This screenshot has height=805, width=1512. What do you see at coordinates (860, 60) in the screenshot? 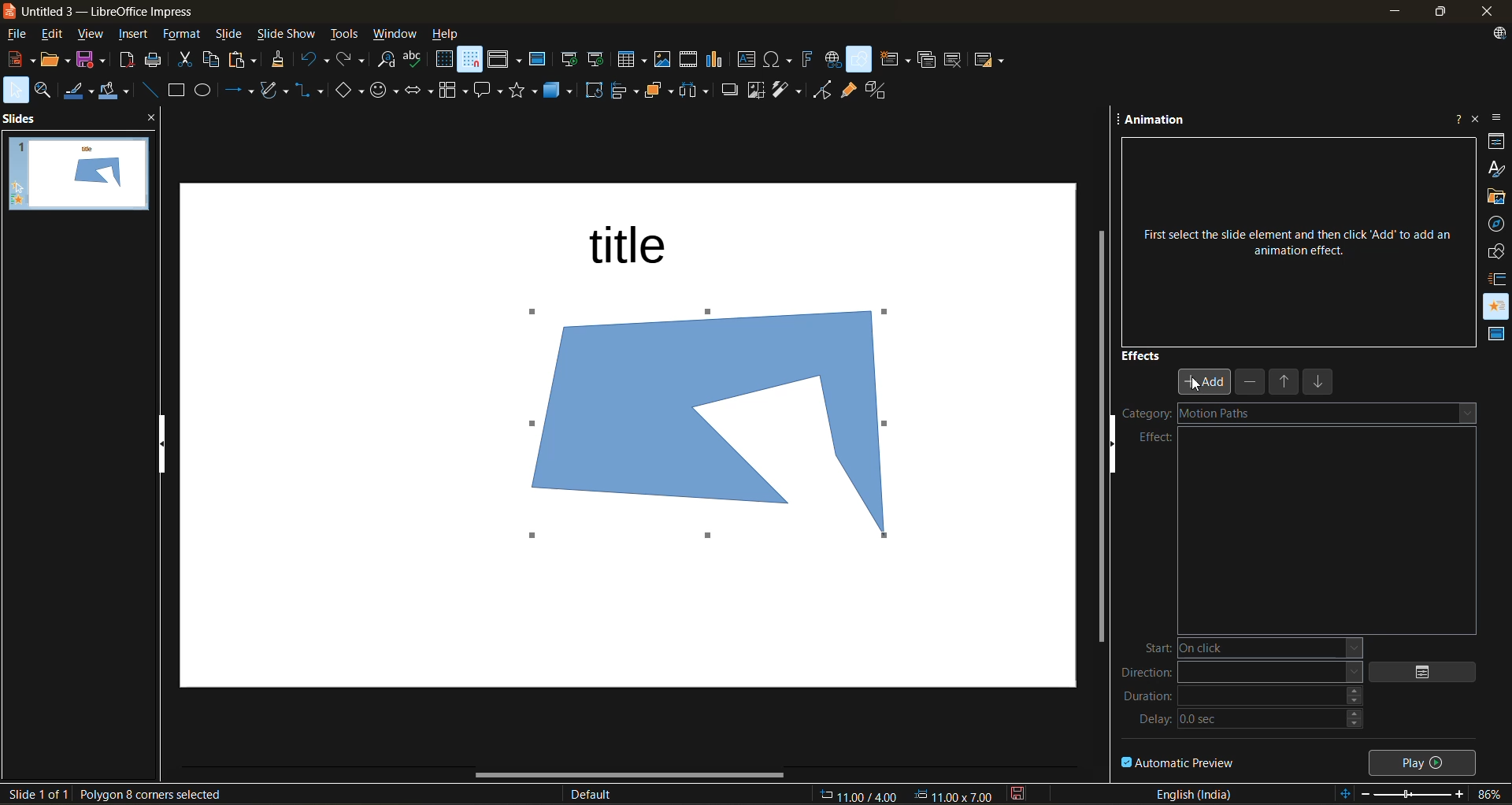
I see `show draw functions` at bounding box center [860, 60].